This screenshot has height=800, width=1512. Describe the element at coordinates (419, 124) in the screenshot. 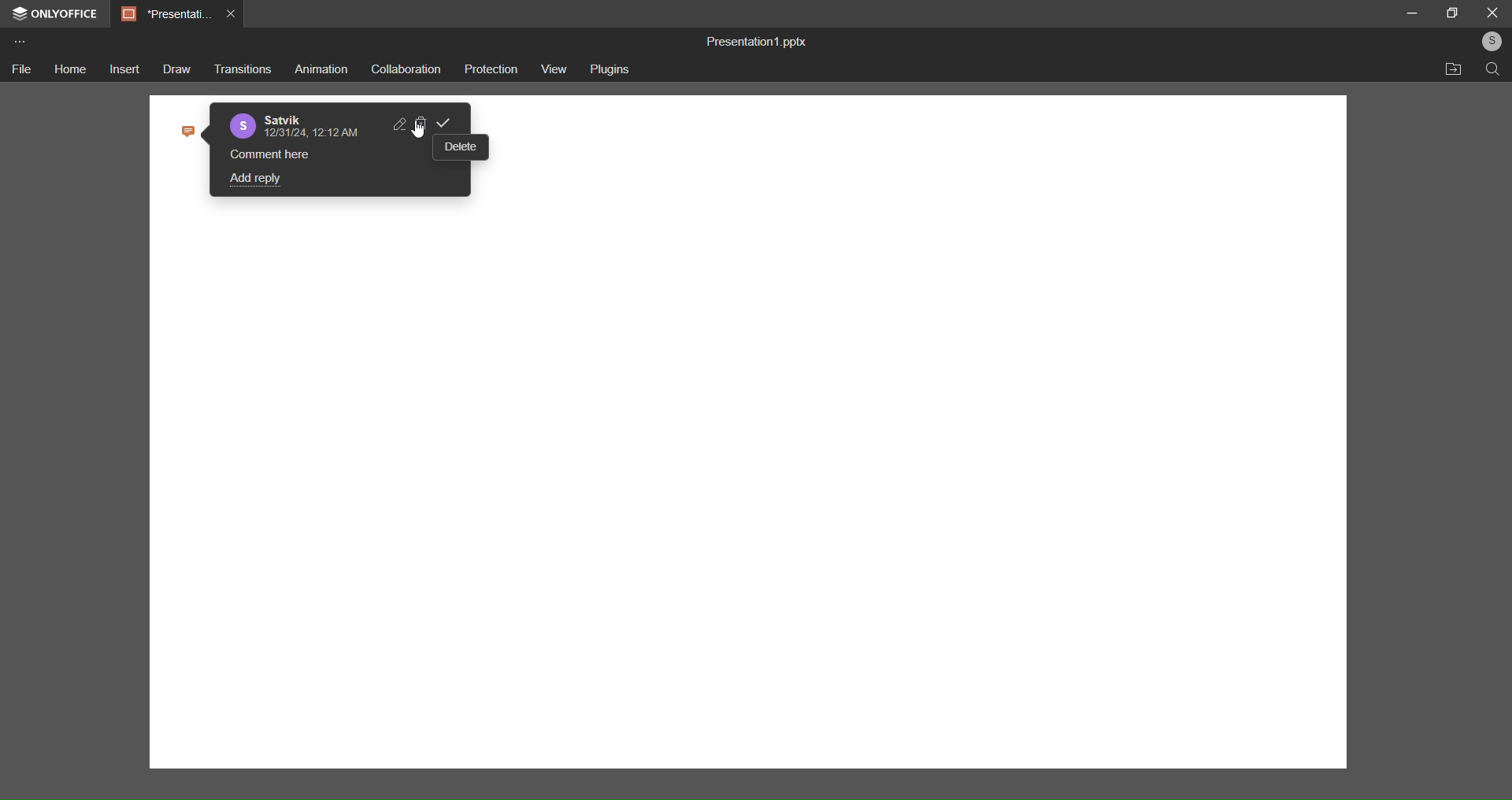

I see `delete` at that location.